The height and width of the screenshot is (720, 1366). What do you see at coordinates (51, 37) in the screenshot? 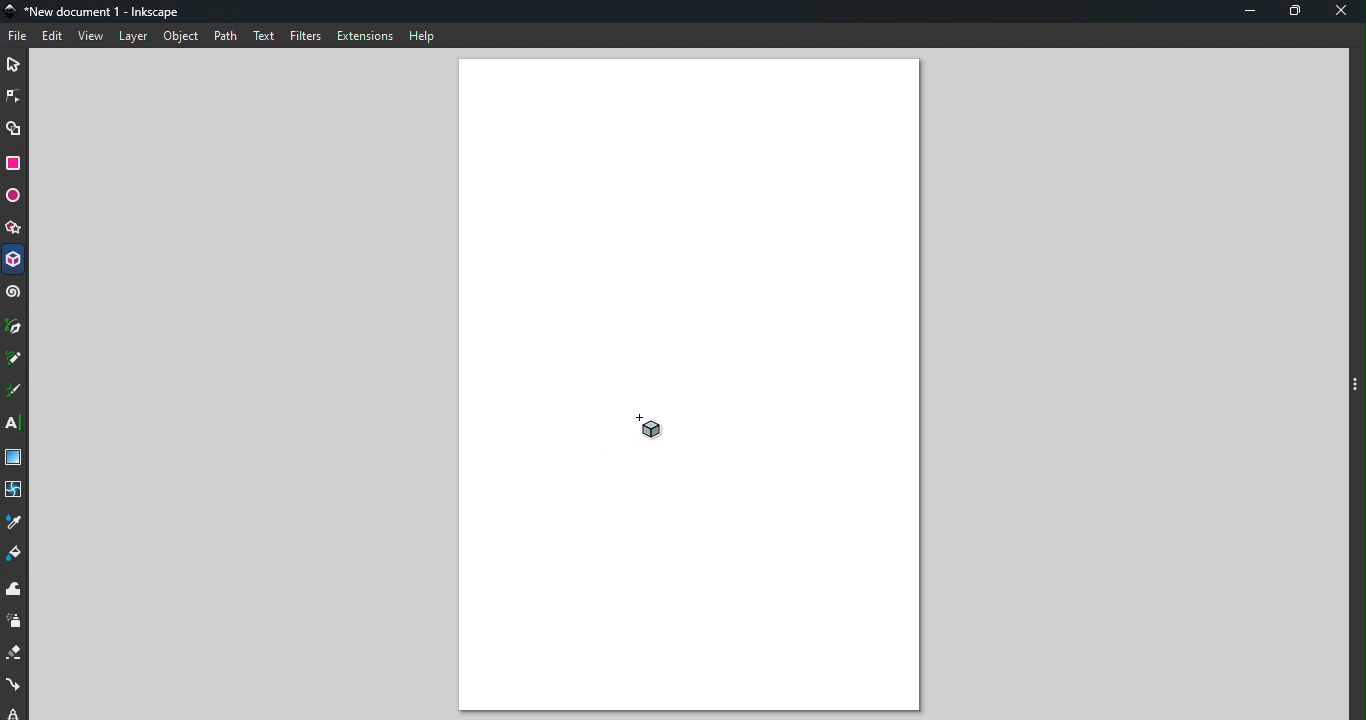
I see `Edit` at bounding box center [51, 37].